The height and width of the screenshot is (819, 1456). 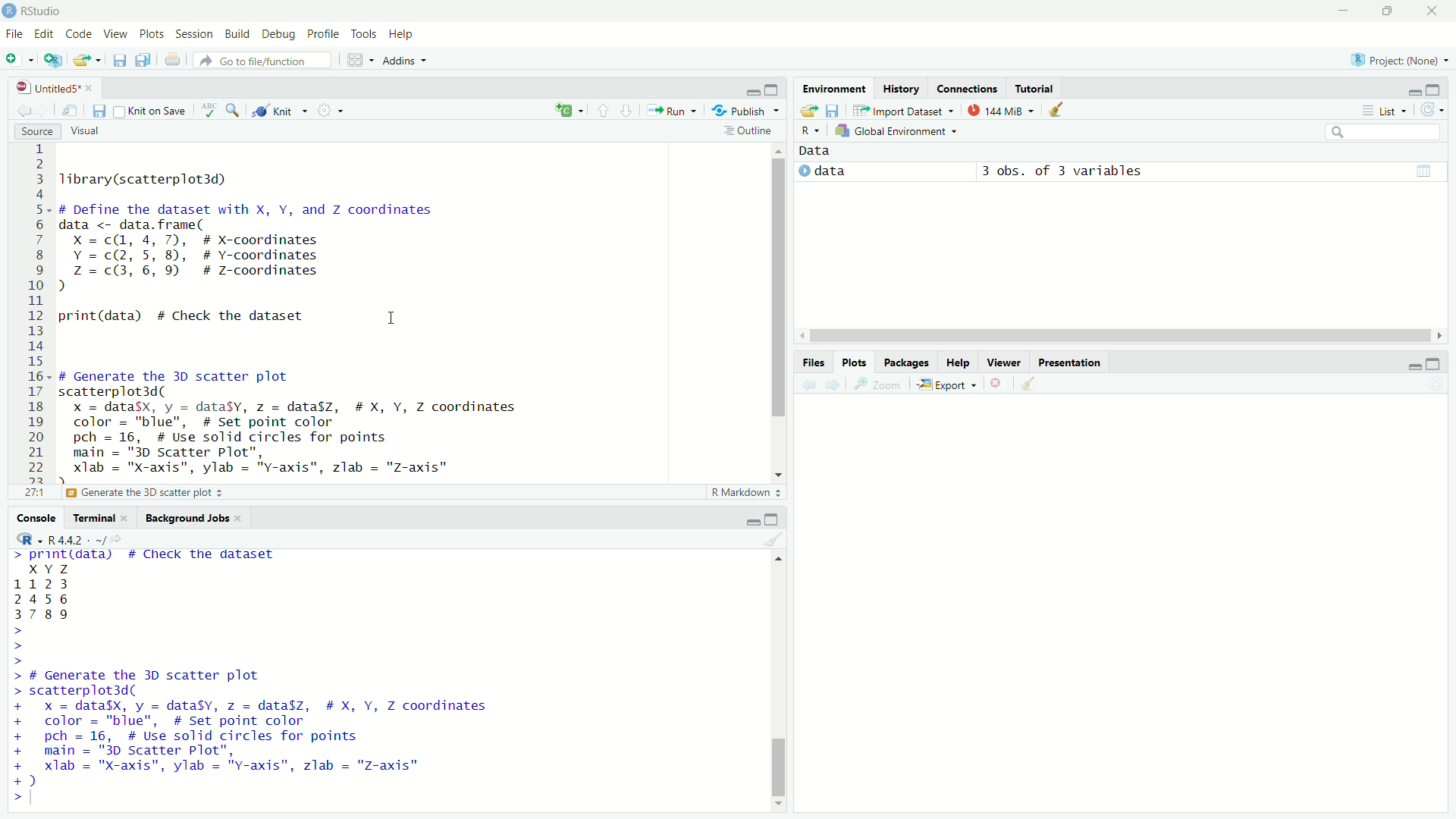 What do you see at coordinates (80, 35) in the screenshot?
I see `Code` at bounding box center [80, 35].